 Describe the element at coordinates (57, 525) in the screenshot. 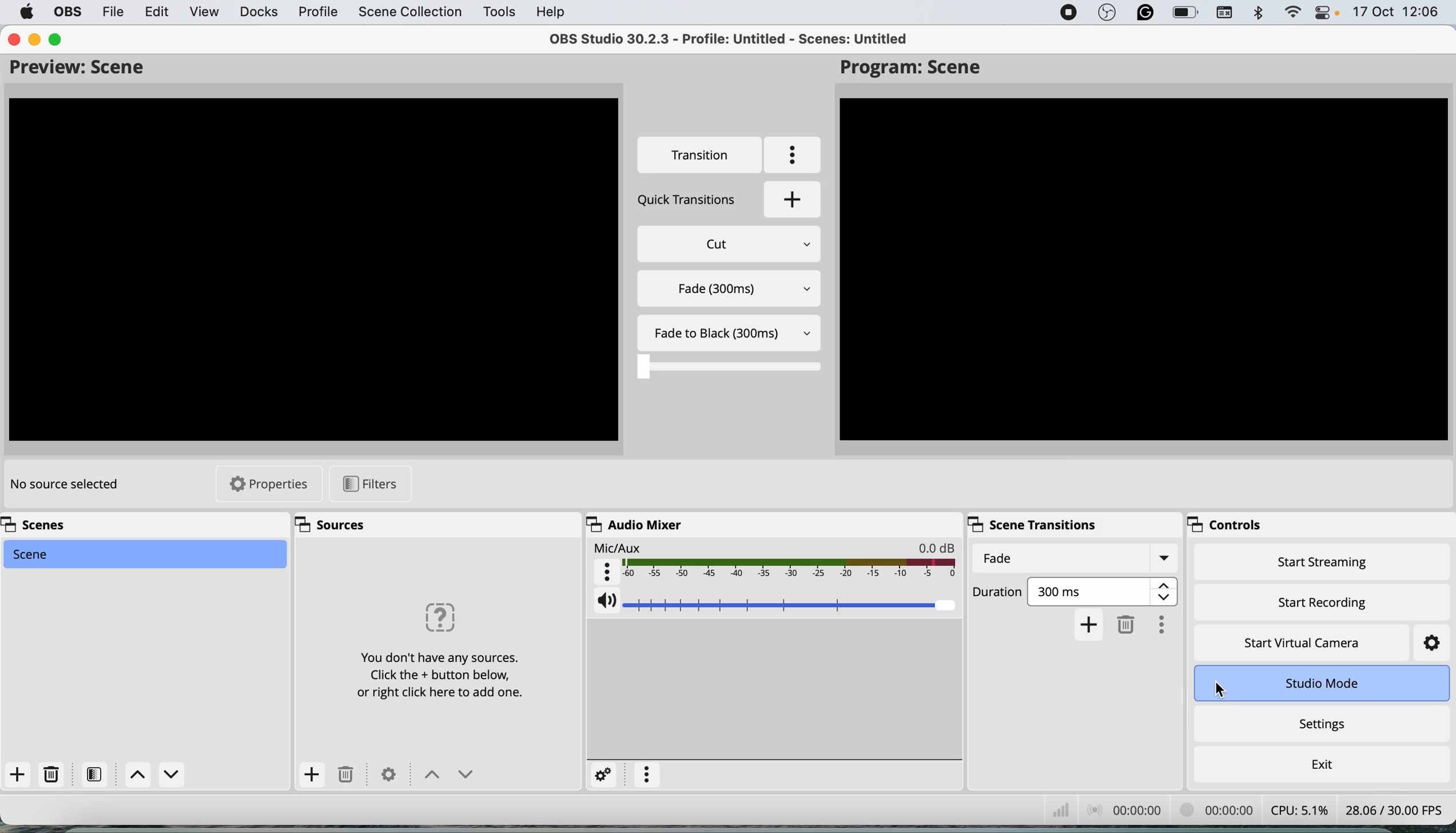

I see `scenes` at that location.